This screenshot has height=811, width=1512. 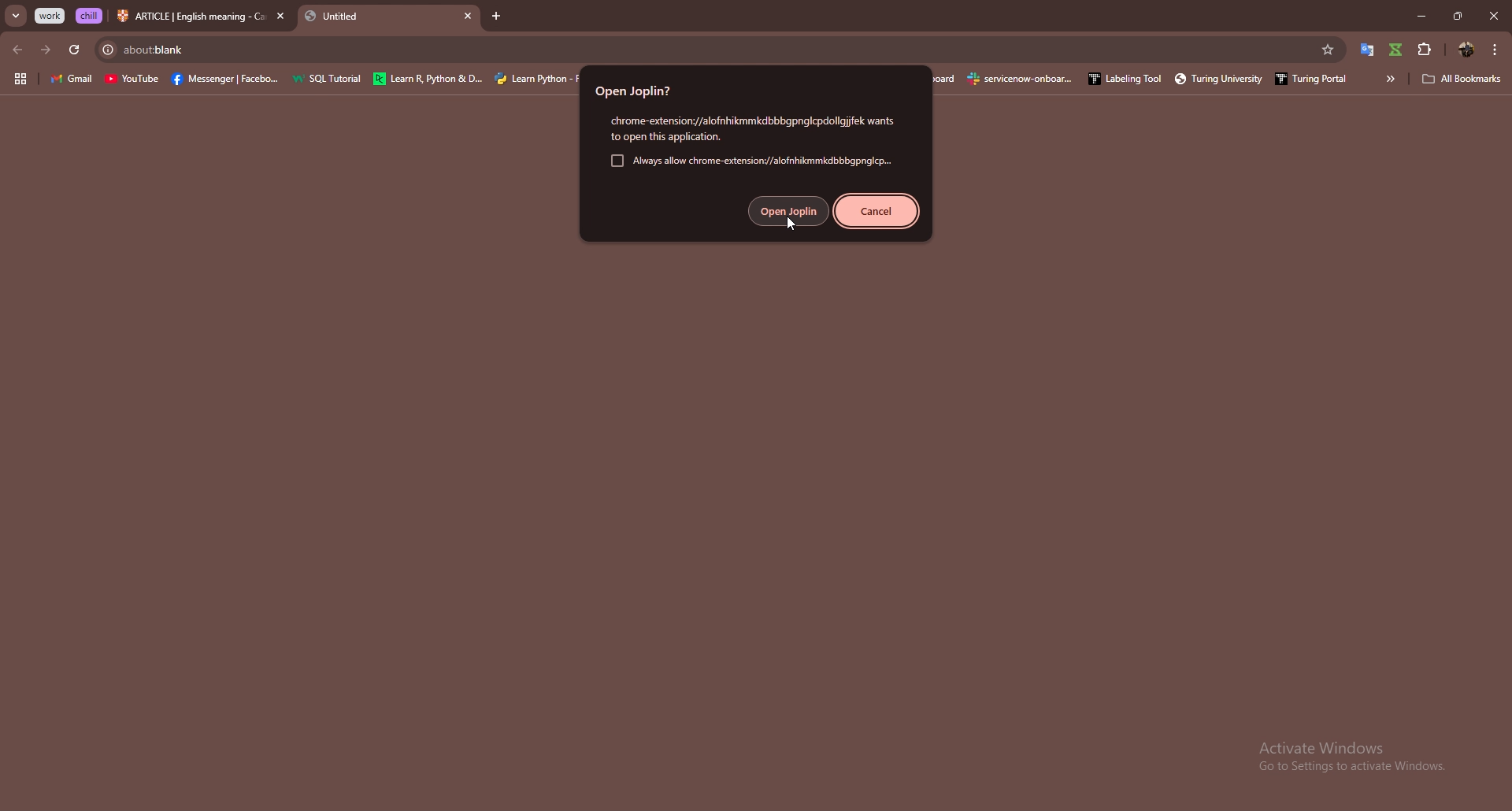 What do you see at coordinates (1462, 79) in the screenshot?
I see `all bookmarks` at bounding box center [1462, 79].